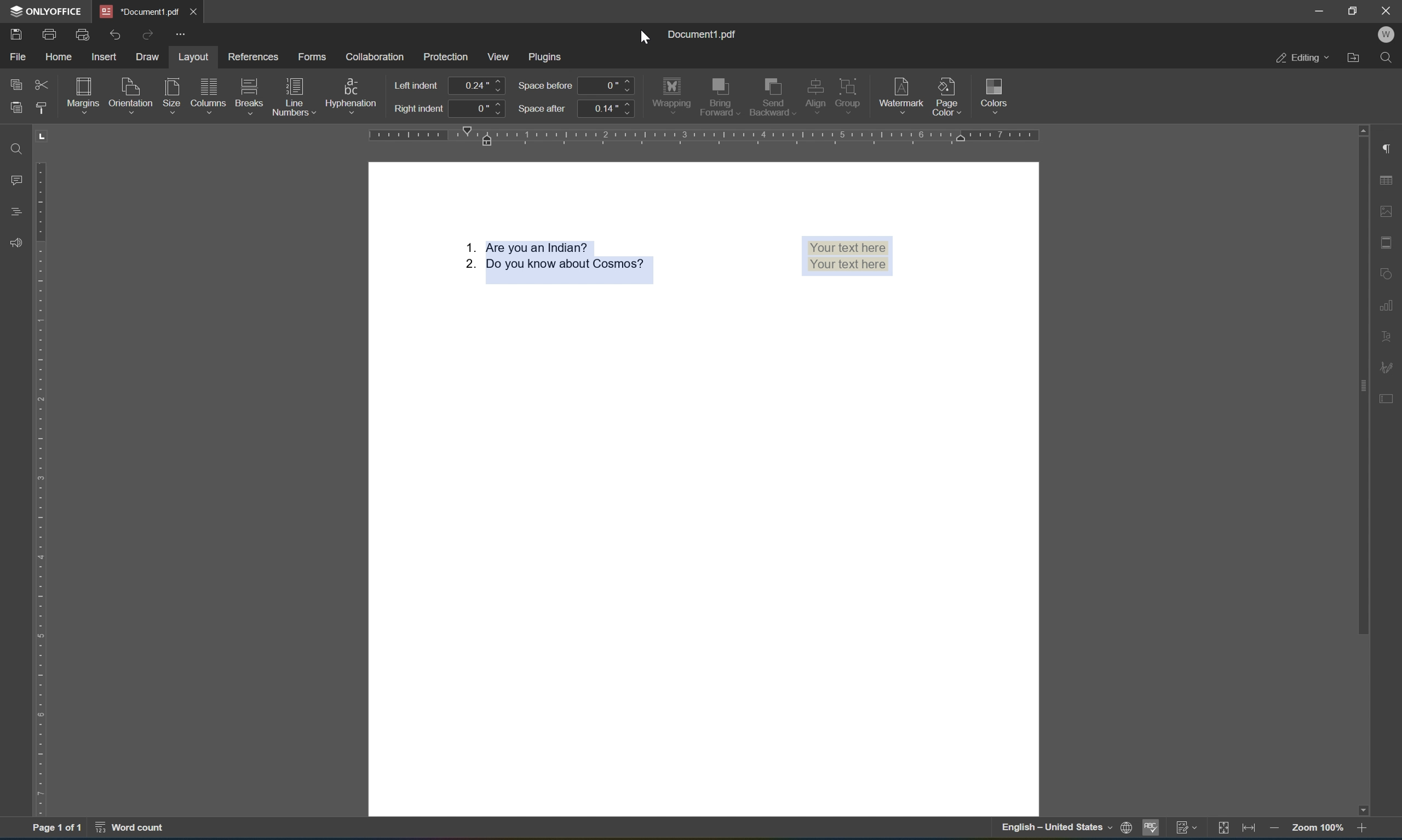 The width and height of the screenshot is (1402, 840). What do you see at coordinates (145, 57) in the screenshot?
I see `draw` at bounding box center [145, 57].